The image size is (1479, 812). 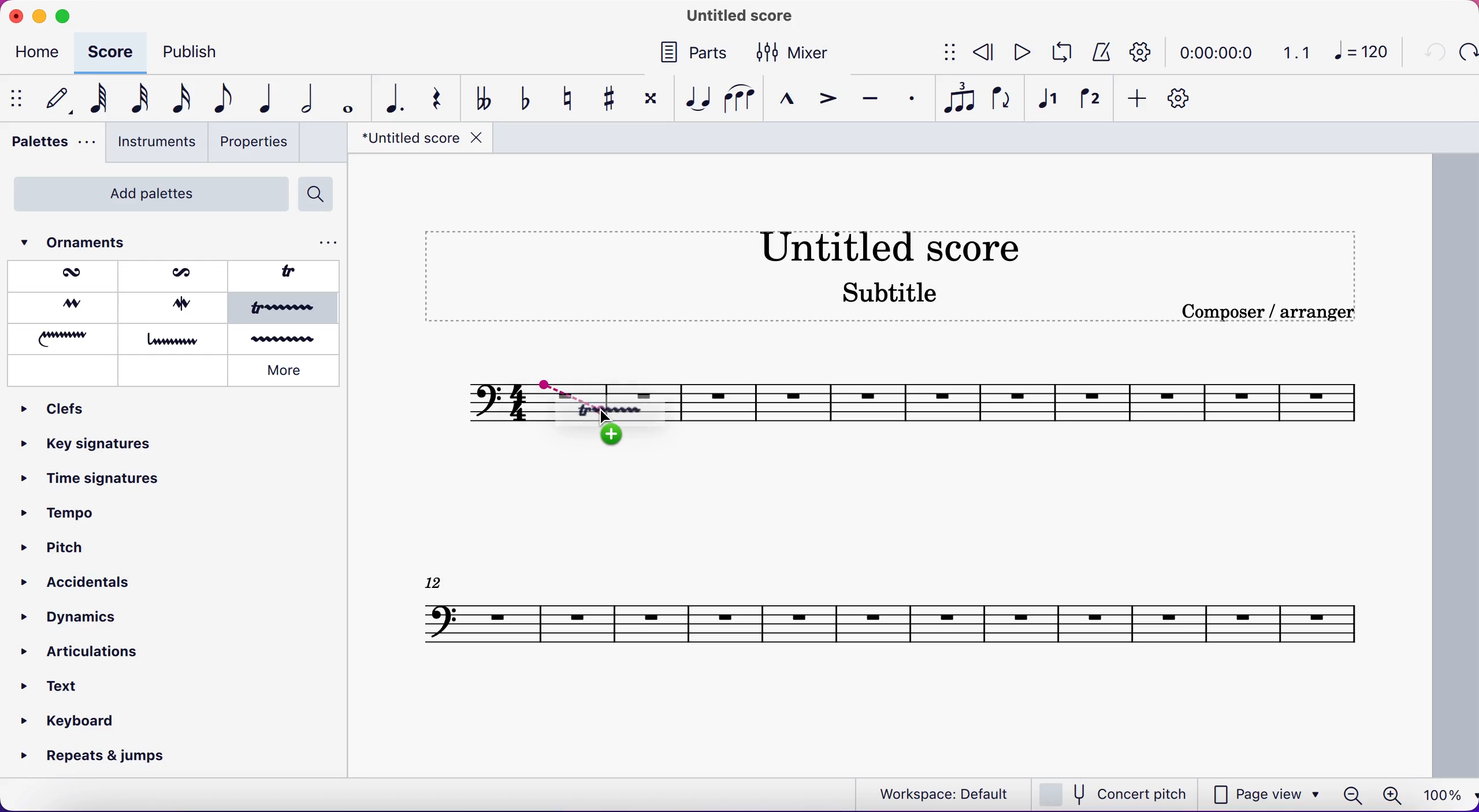 I want to click on score title, so click(x=906, y=246).